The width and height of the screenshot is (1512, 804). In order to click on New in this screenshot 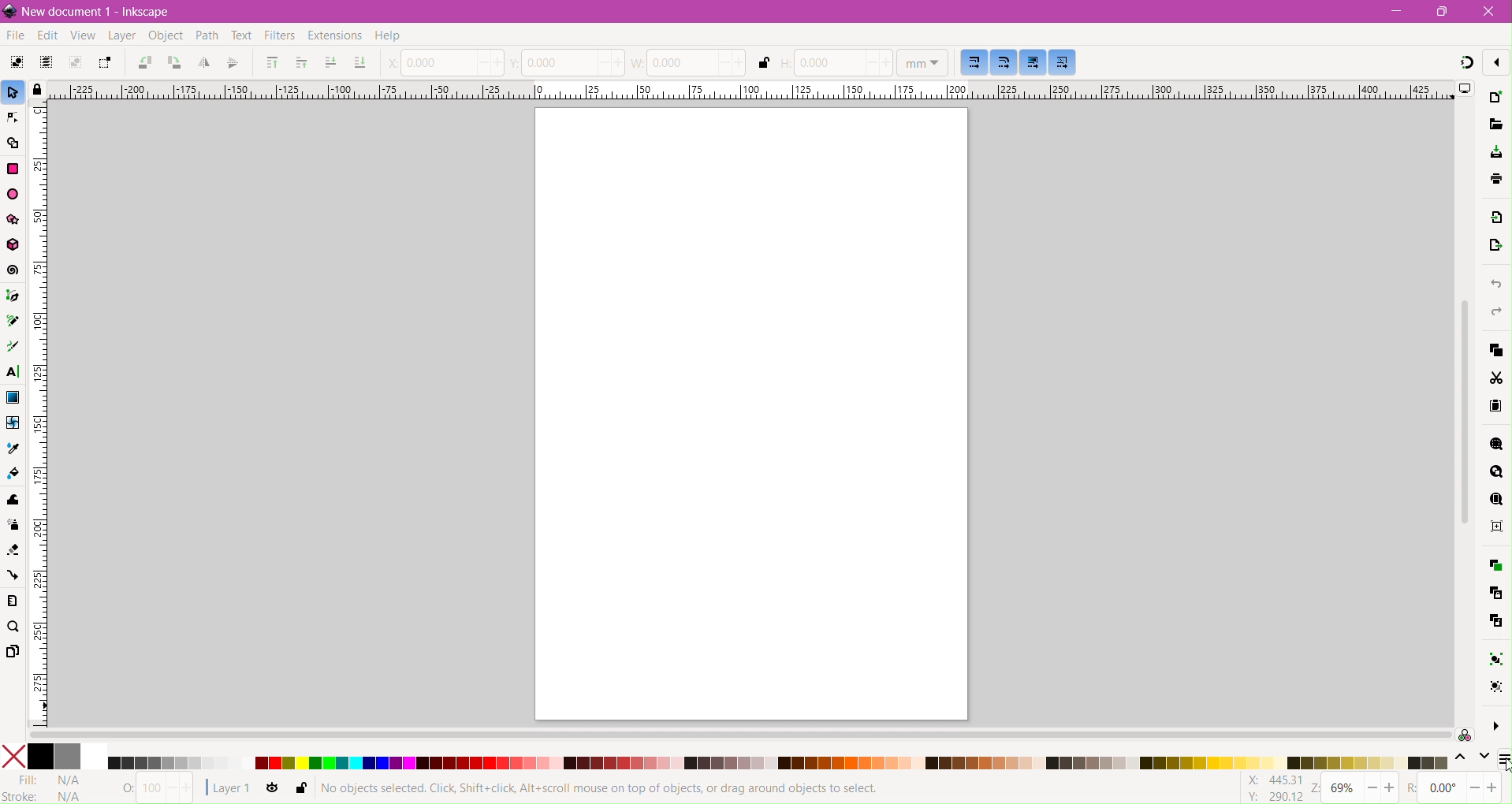, I will do `click(1495, 98)`.